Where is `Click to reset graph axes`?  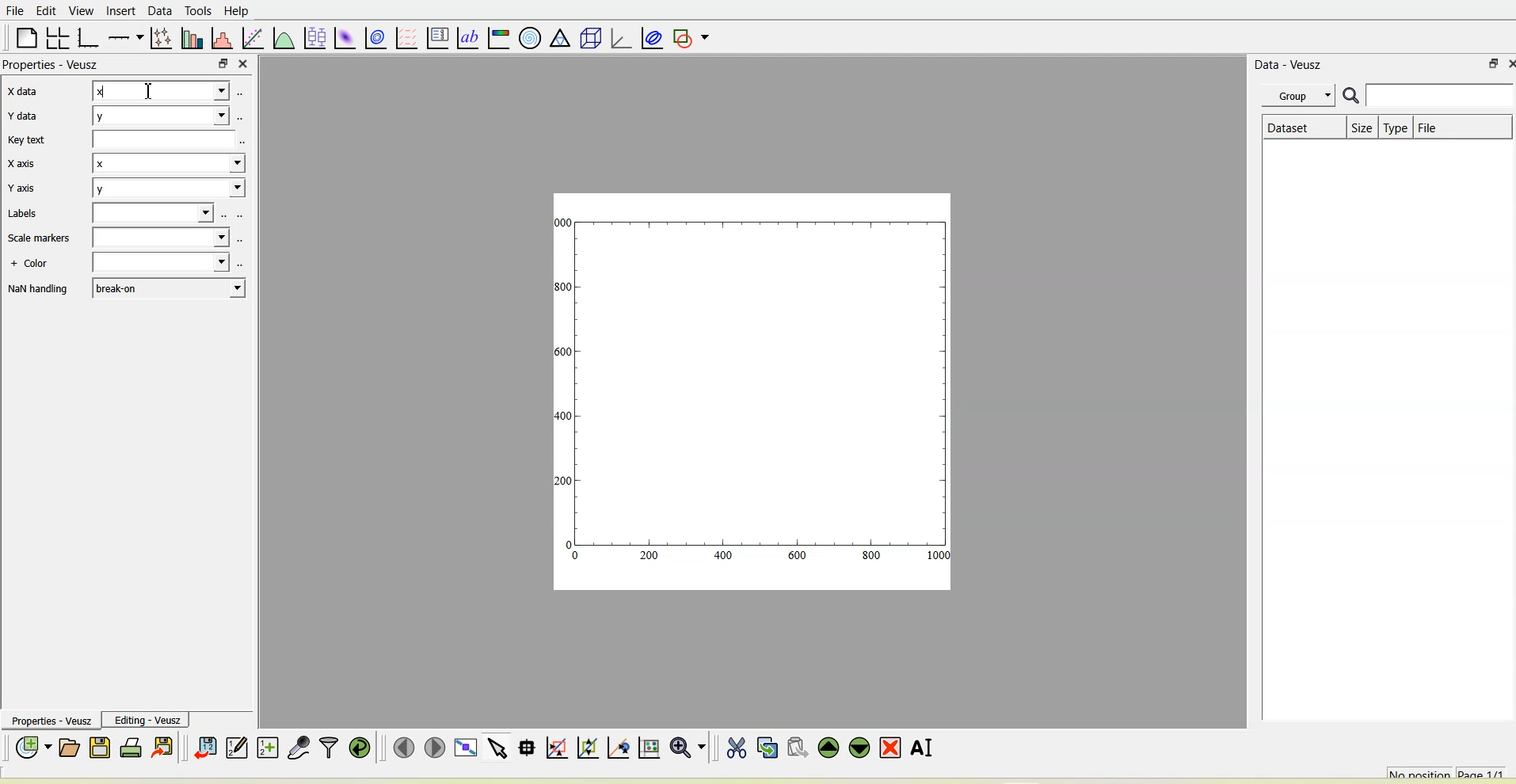
Click to reset graph axes is located at coordinates (648, 748).